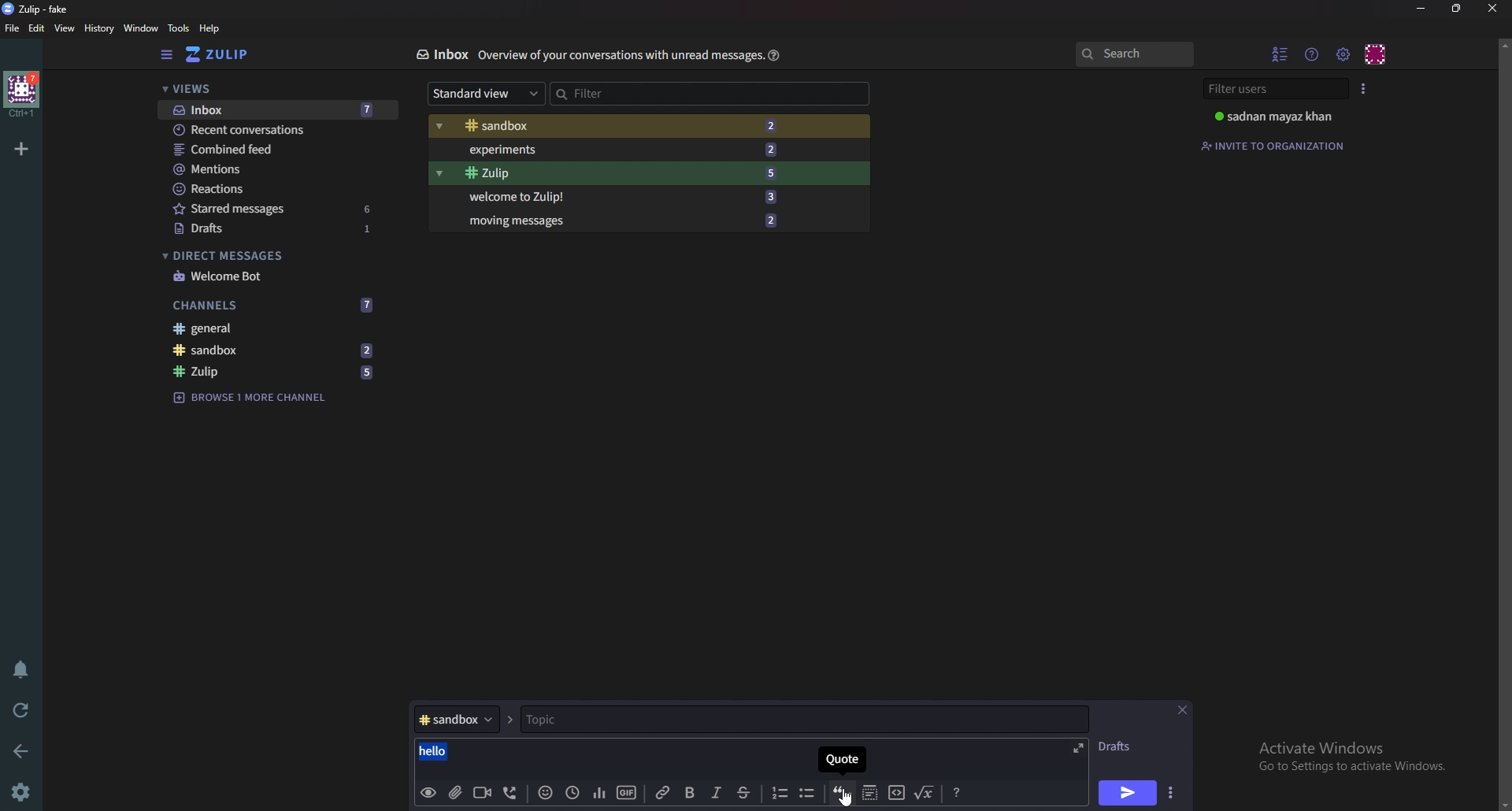 The height and width of the screenshot is (811, 1512). I want to click on Browse 1 more channel, so click(257, 398).